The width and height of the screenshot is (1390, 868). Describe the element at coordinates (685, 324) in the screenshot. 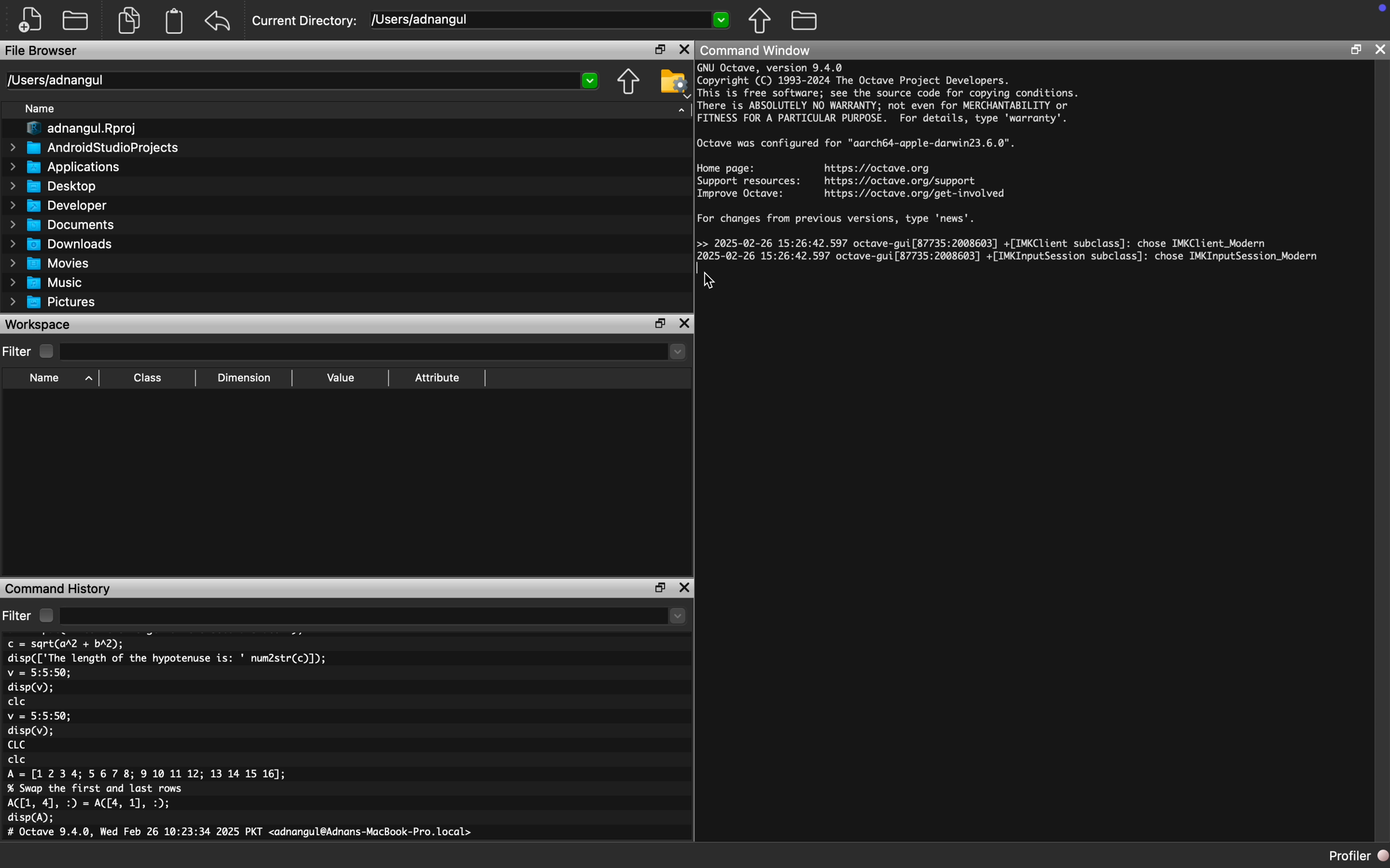

I see `Close` at that location.